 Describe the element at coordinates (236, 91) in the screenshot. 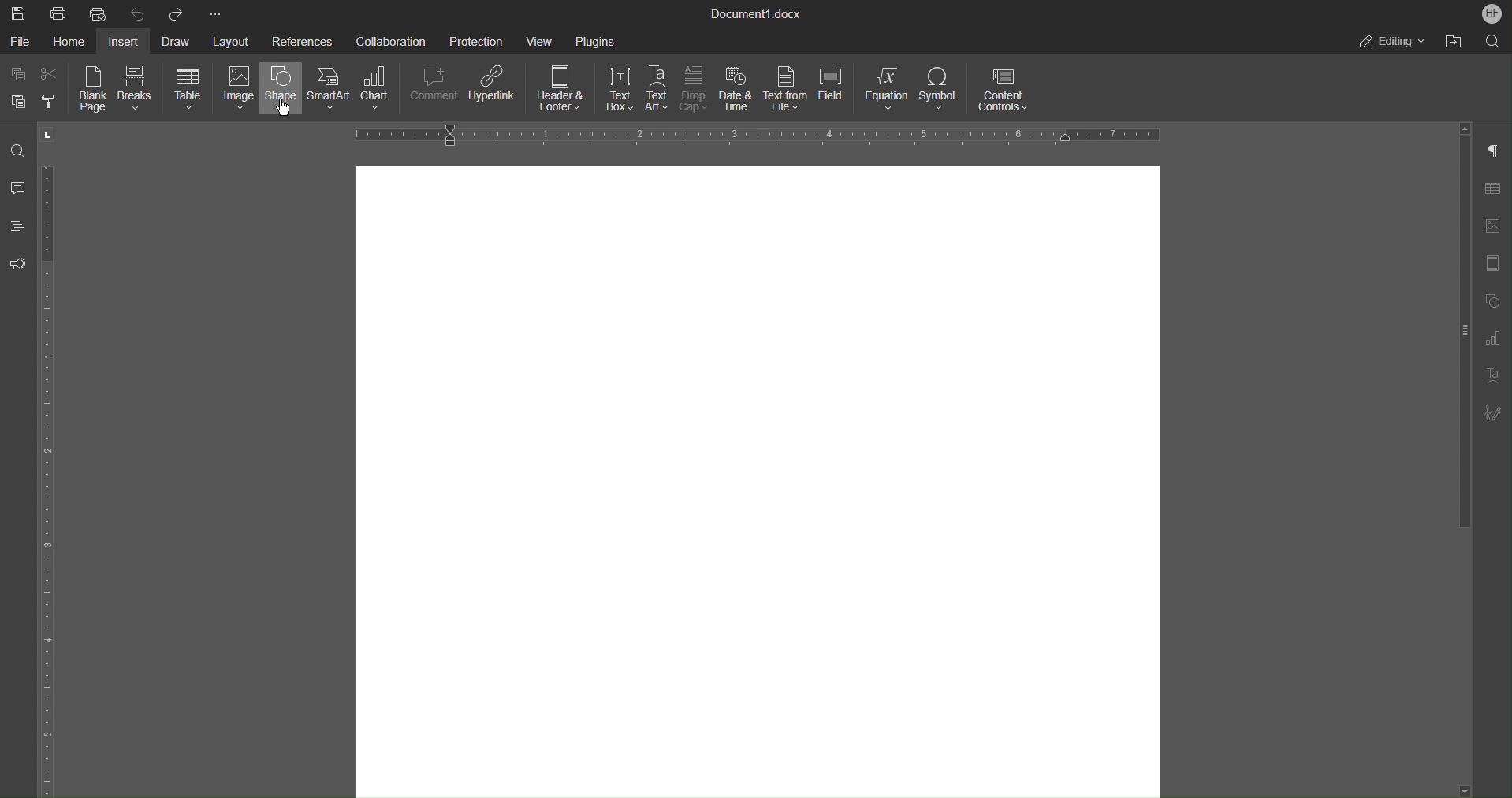

I see `Image` at that location.